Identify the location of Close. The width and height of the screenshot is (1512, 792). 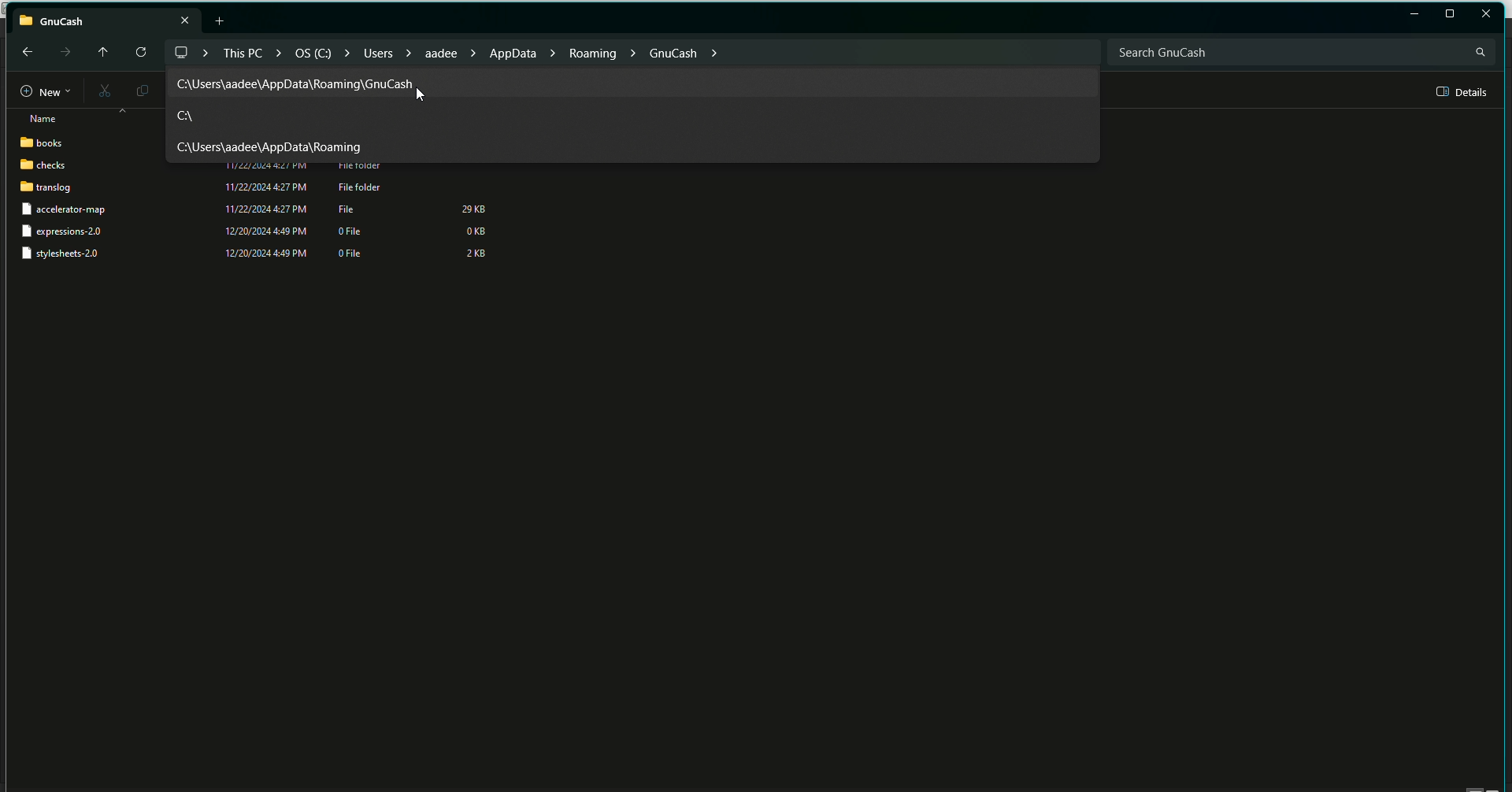
(1487, 13).